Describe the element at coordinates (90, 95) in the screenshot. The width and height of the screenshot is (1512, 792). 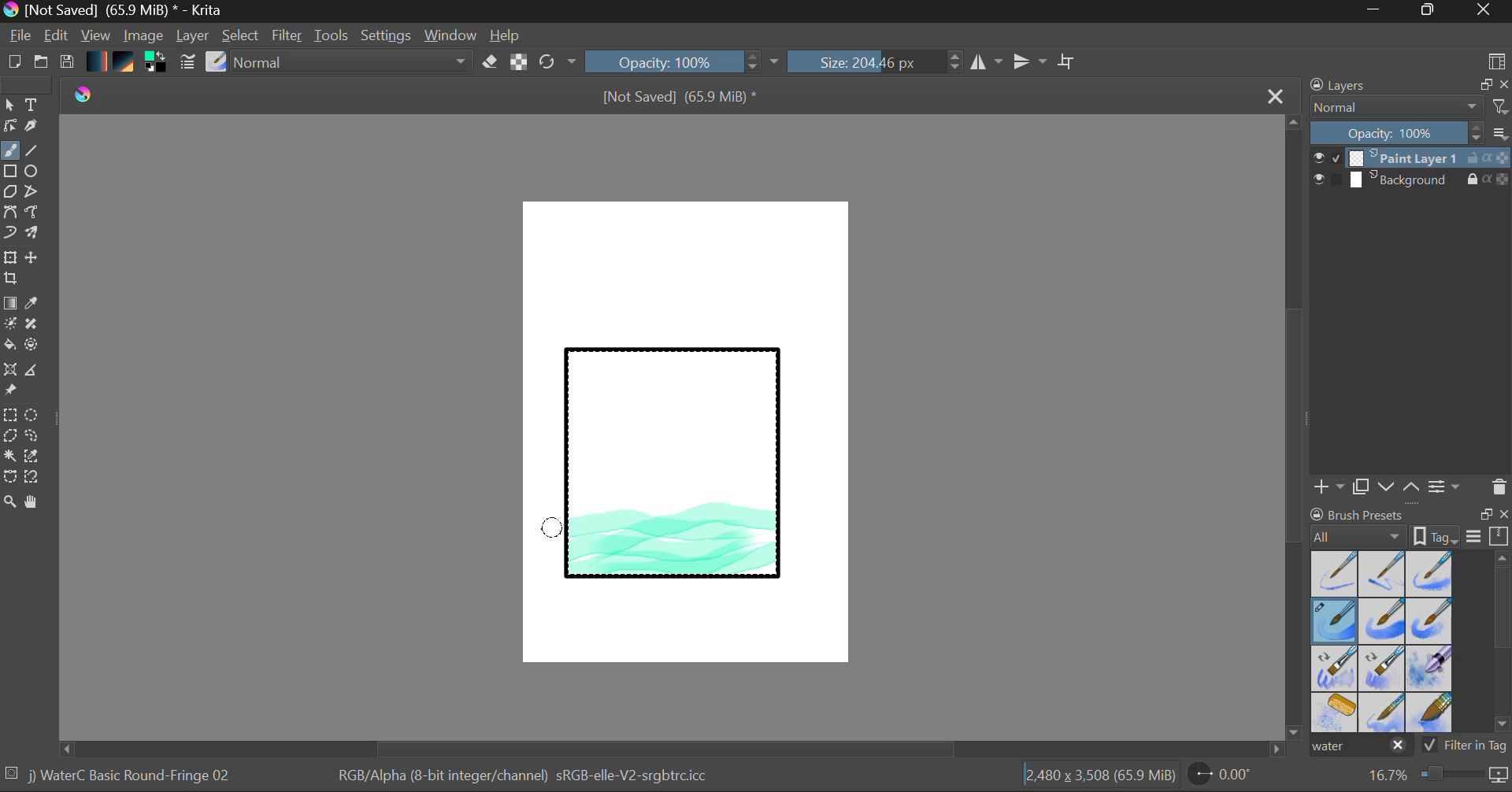
I see `logo` at that location.